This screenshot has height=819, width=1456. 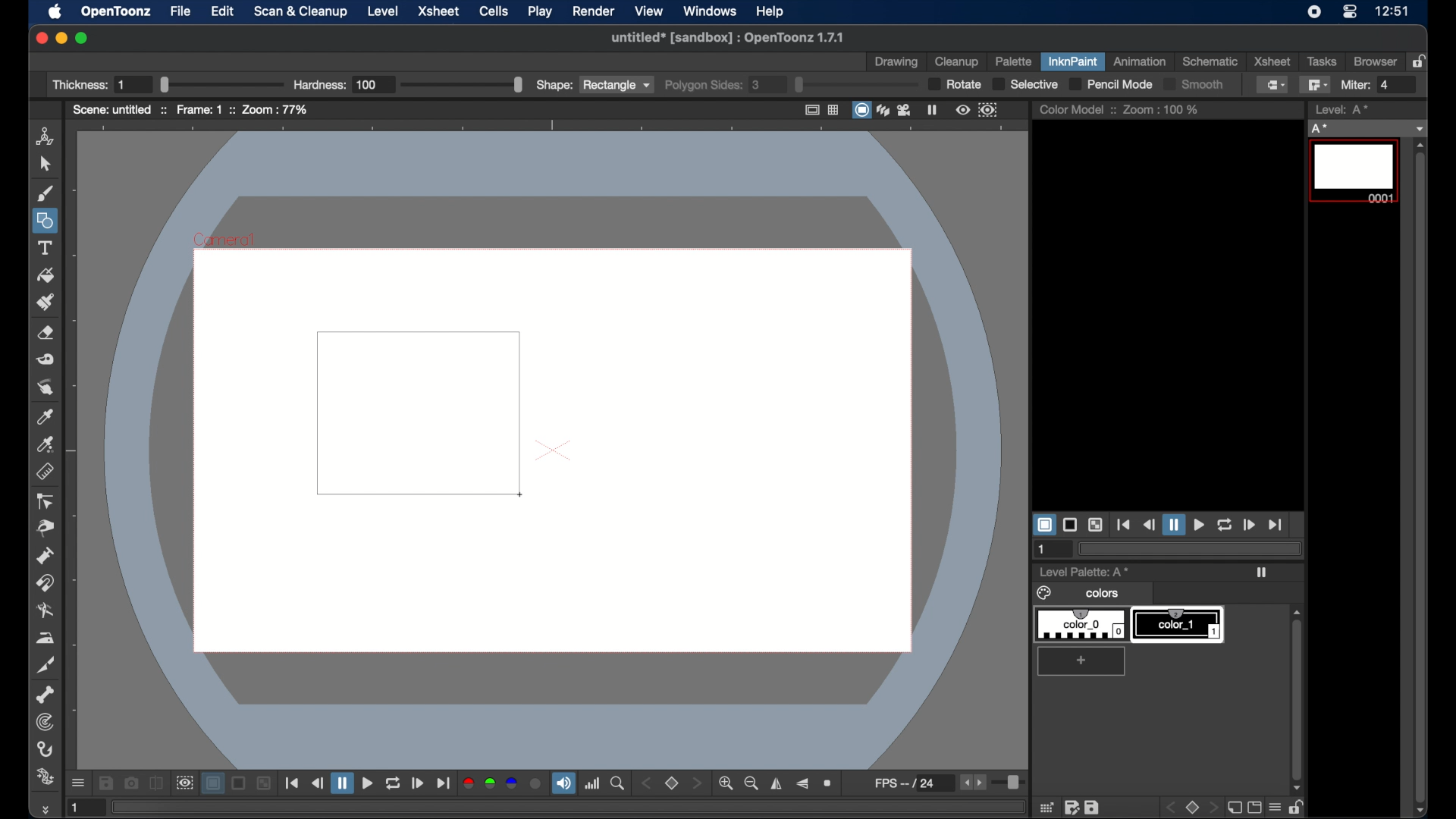 I want to click on paint brush tool, so click(x=46, y=302).